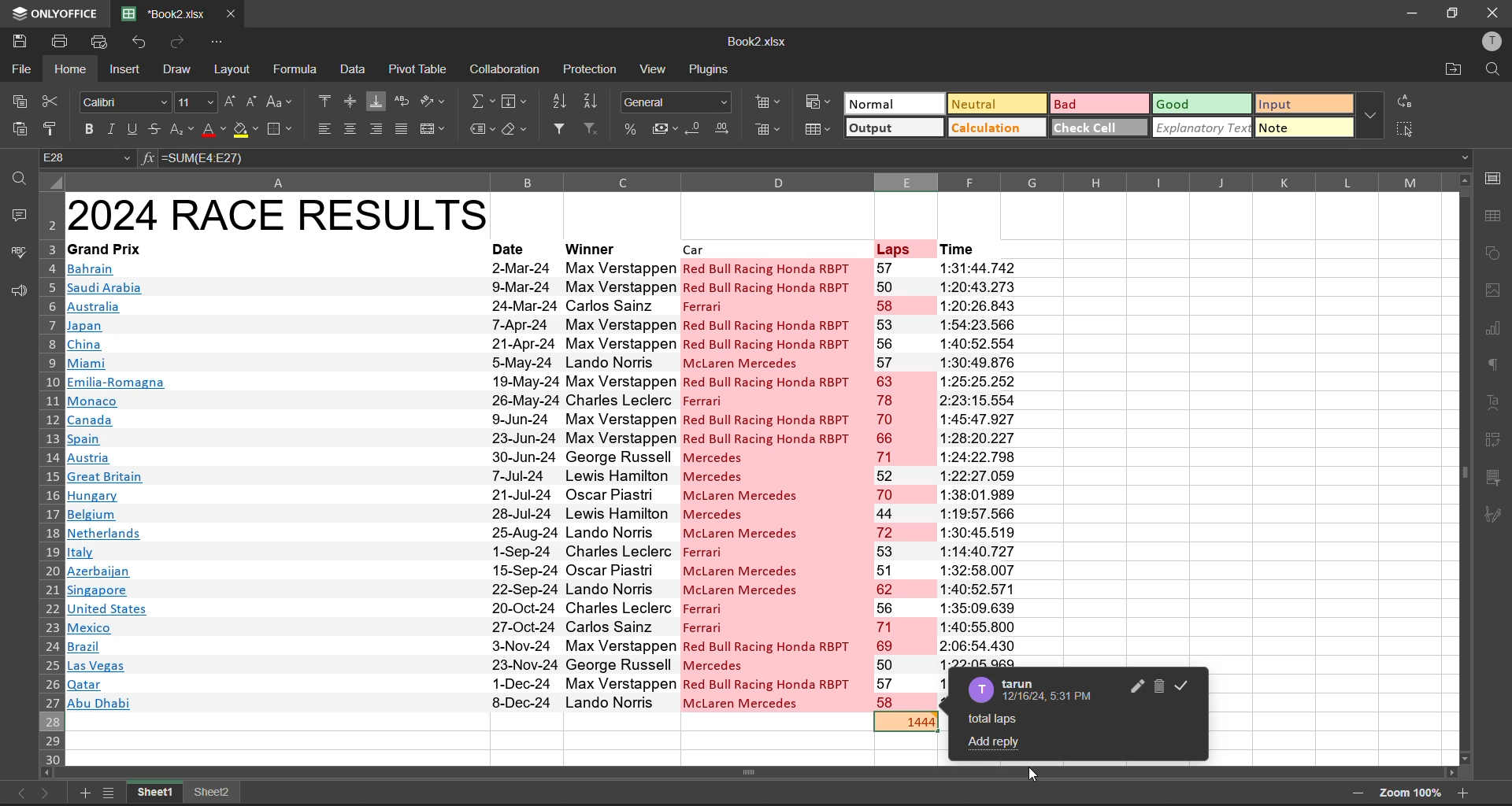 The width and height of the screenshot is (1512, 806). Describe the element at coordinates (294, 69) in the screenshot. I see `formula` at that location.